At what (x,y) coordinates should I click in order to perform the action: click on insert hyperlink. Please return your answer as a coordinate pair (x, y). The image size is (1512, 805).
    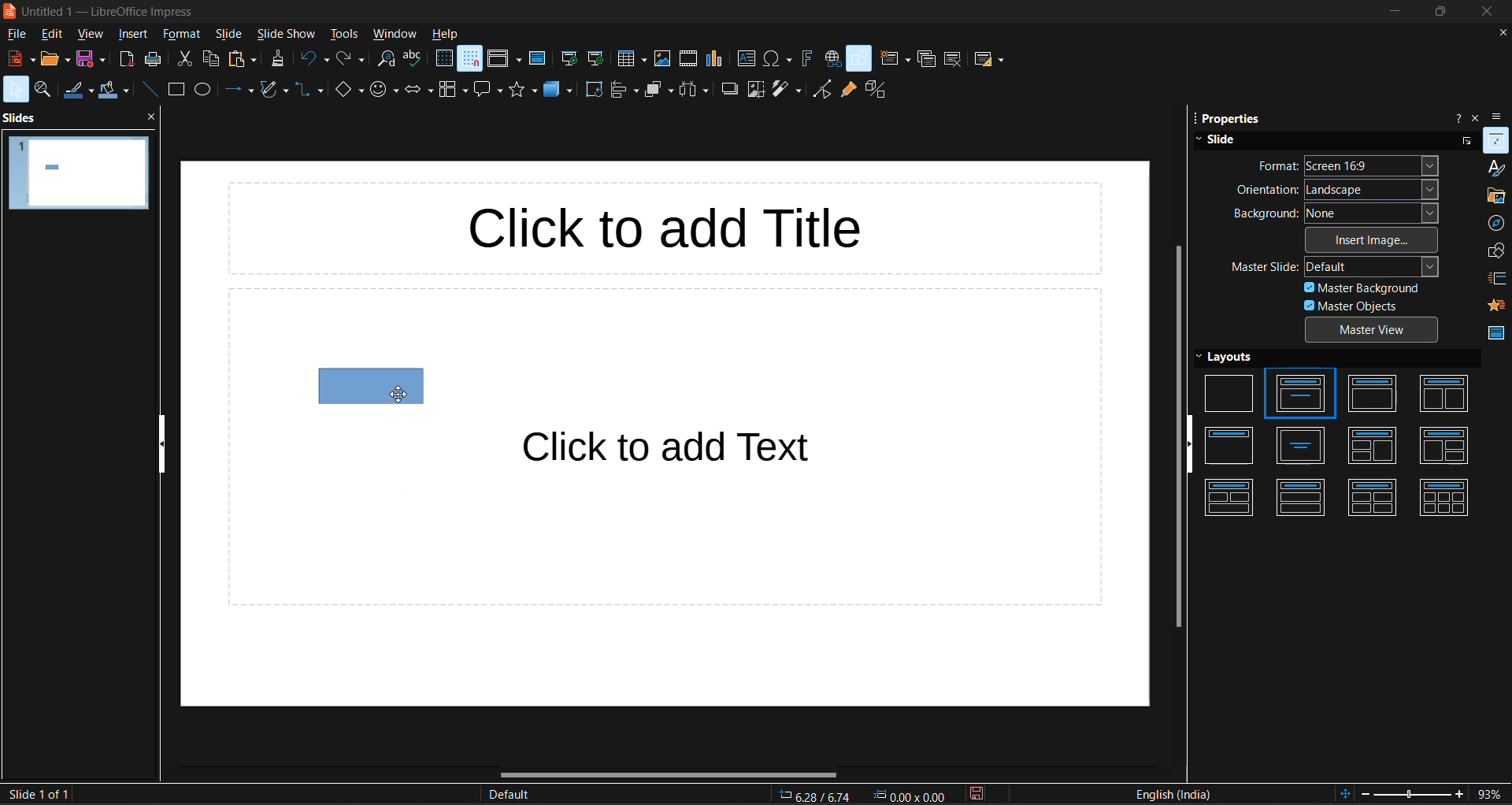
    Looking at the image, I should click on (831, 60).